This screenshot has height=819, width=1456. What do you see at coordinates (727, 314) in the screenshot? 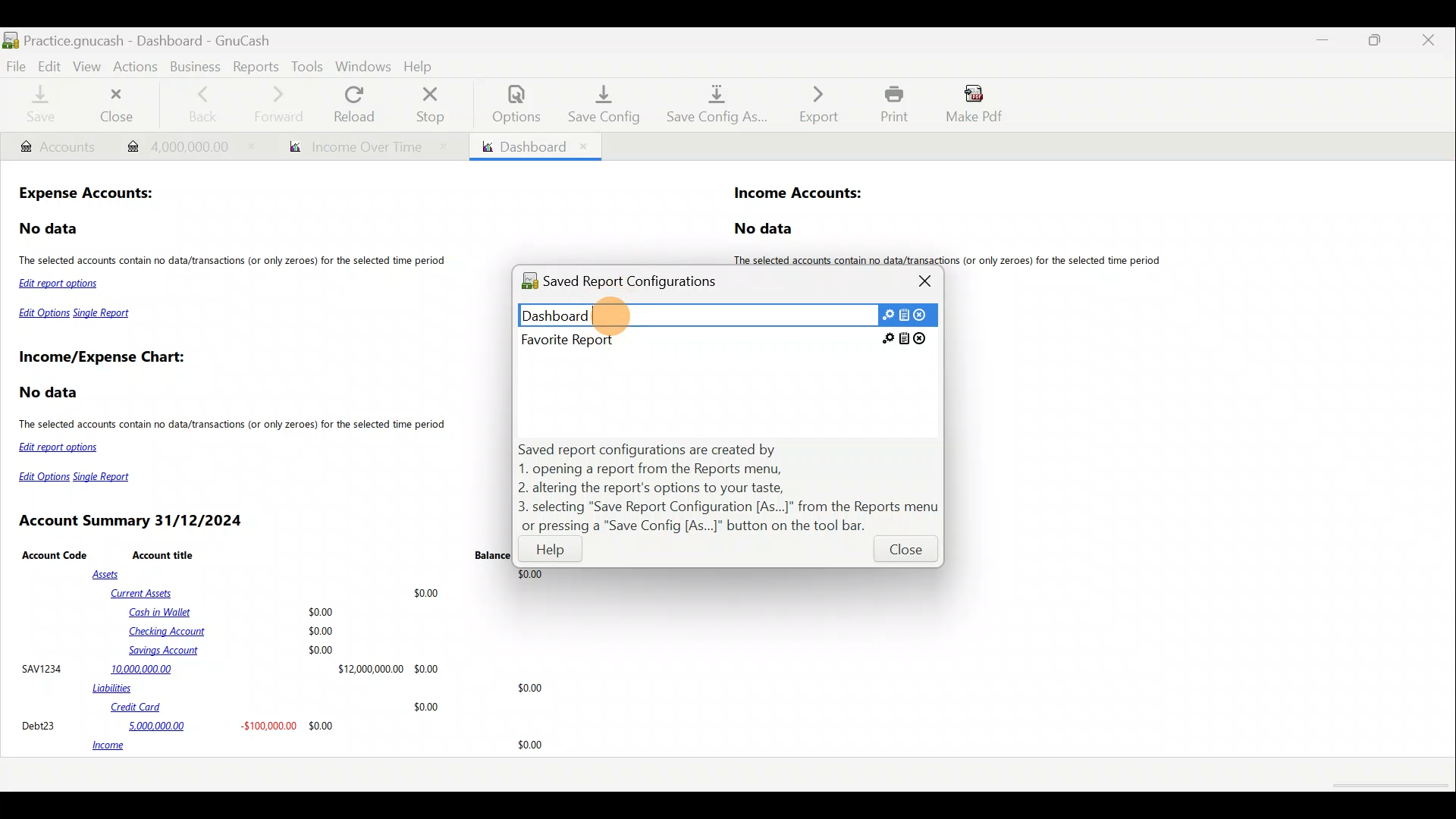
I see `Saved report 1` at bounding box center [727, 314].